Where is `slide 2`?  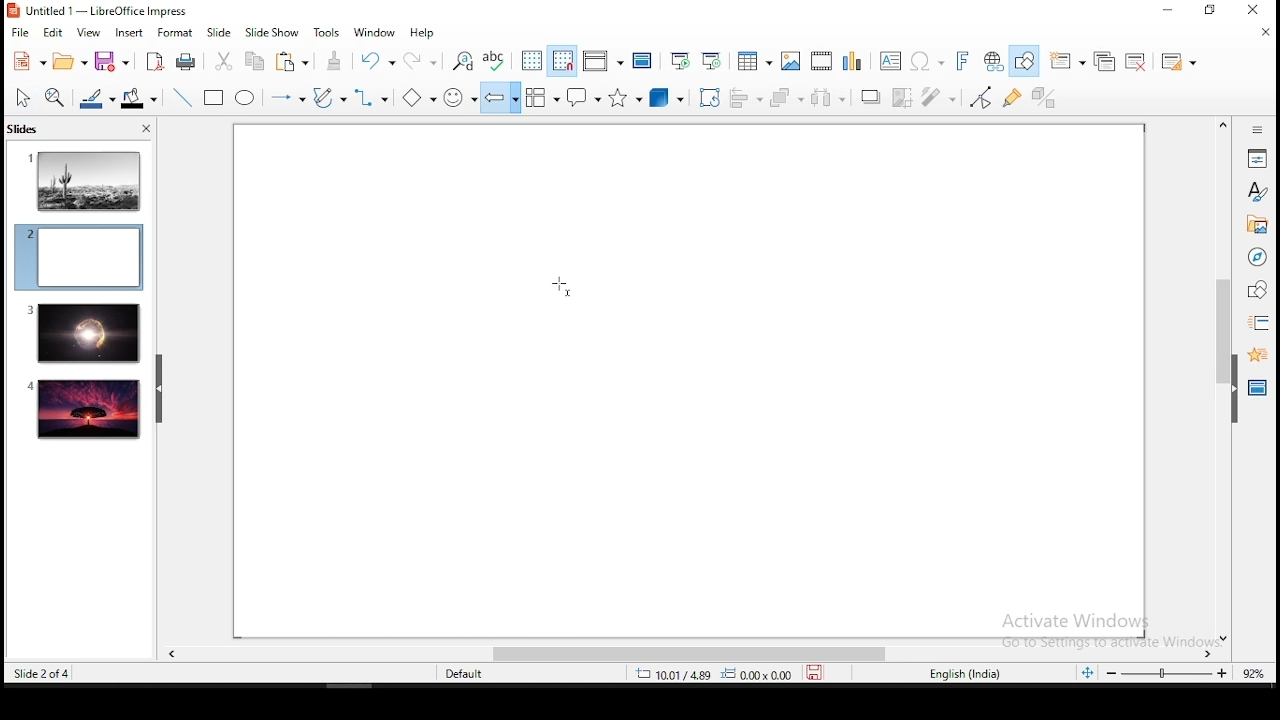
slide 2 is located at coordinates (78, 257).